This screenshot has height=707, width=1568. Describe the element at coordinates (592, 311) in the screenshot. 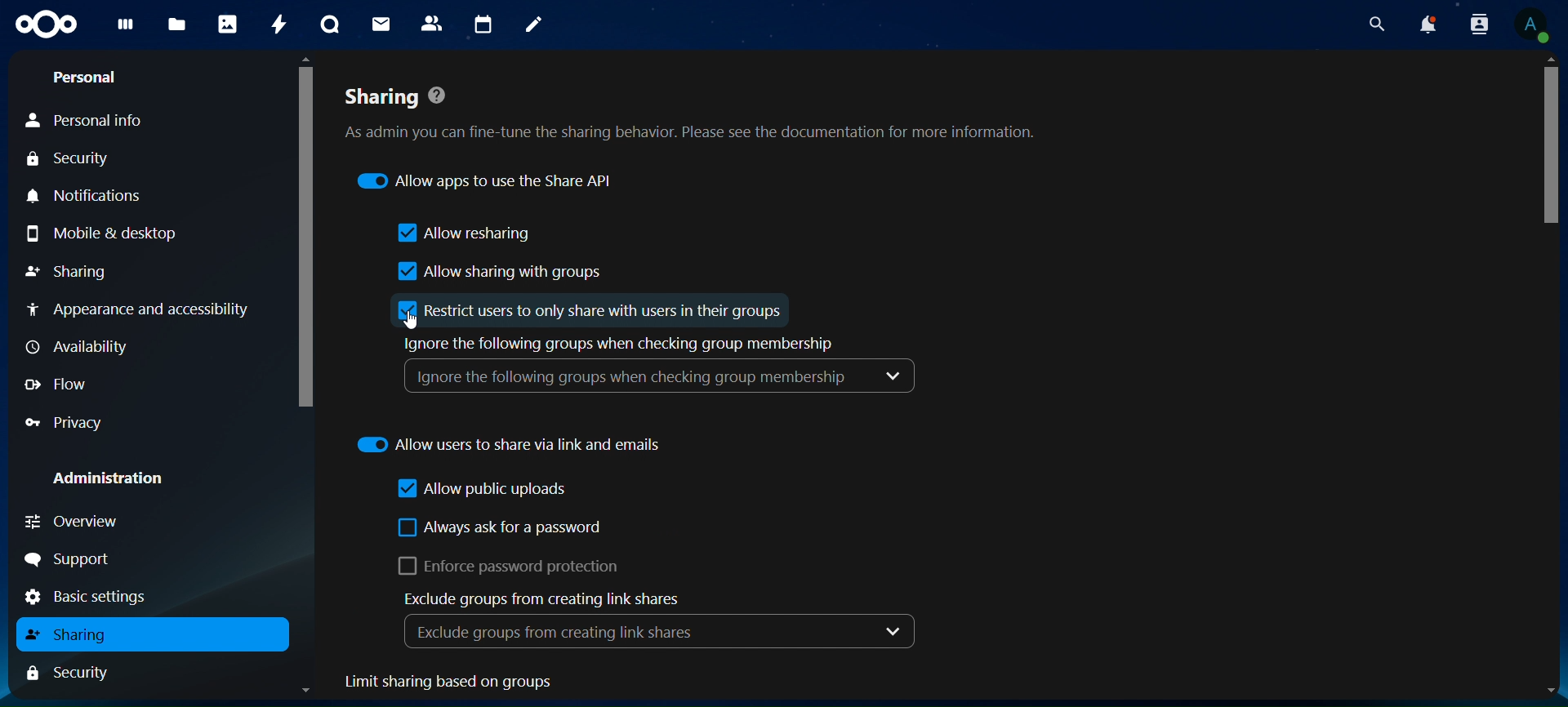

I see `restrict users to only share with users in their groups` at that location.